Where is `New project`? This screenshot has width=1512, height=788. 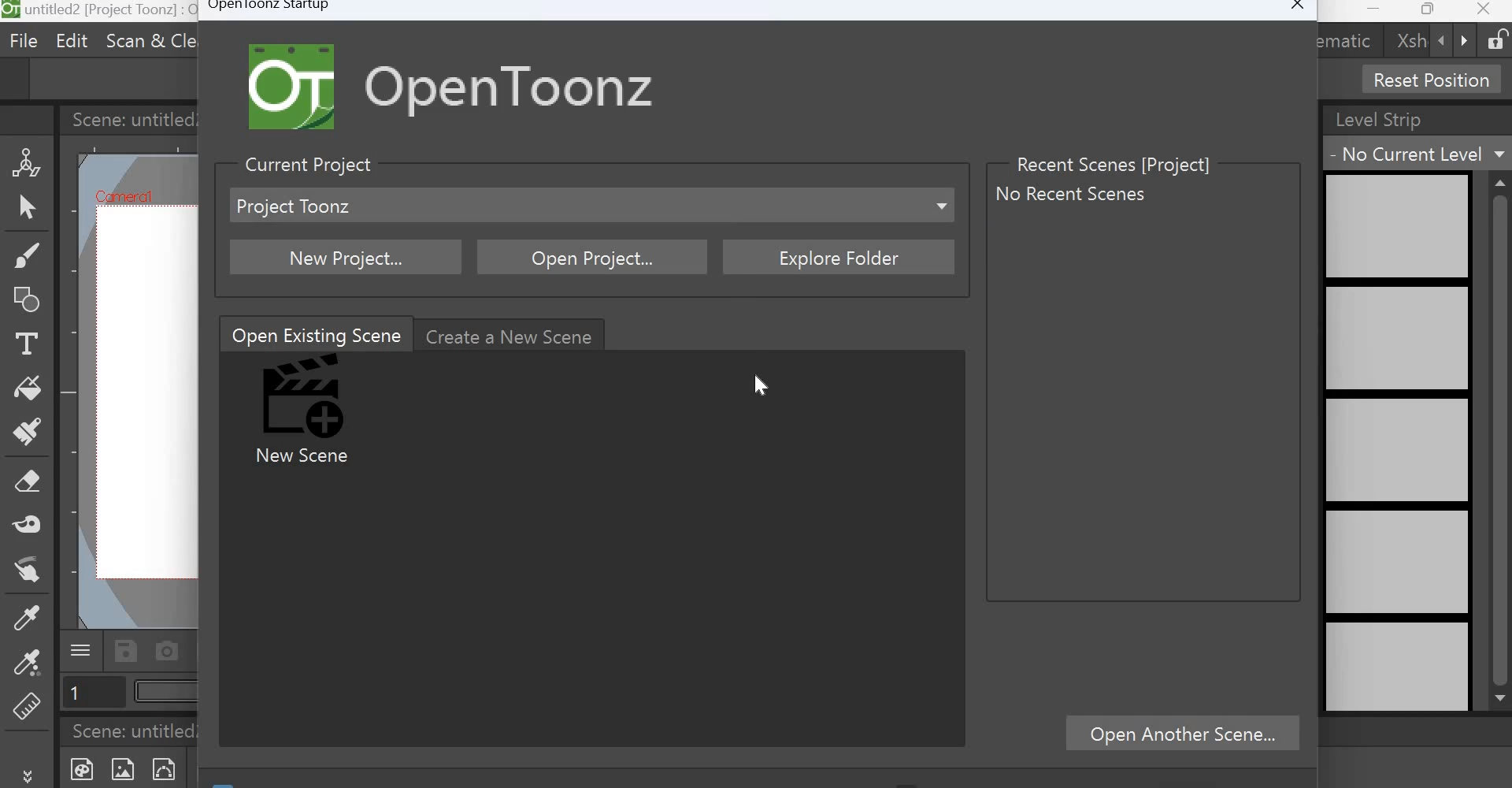
New project is located at coordinates (347, 256).